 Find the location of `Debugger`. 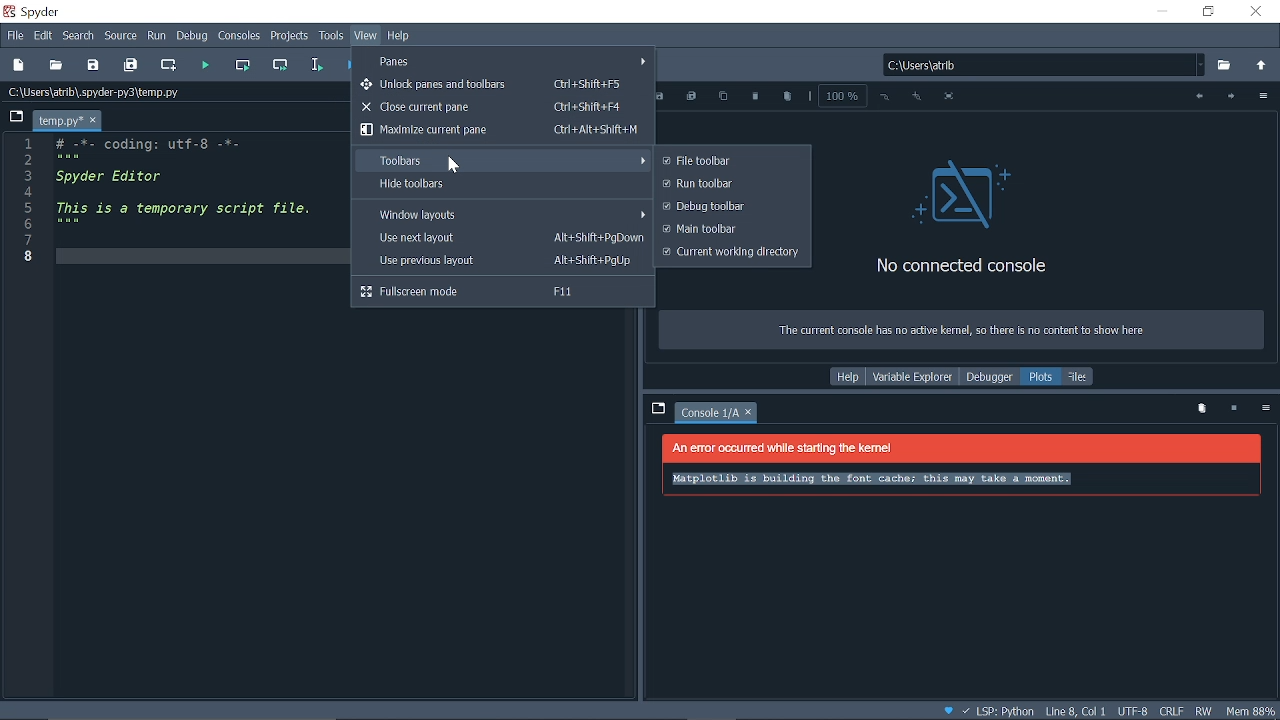

Debugger is located at coordinates (988, 377).